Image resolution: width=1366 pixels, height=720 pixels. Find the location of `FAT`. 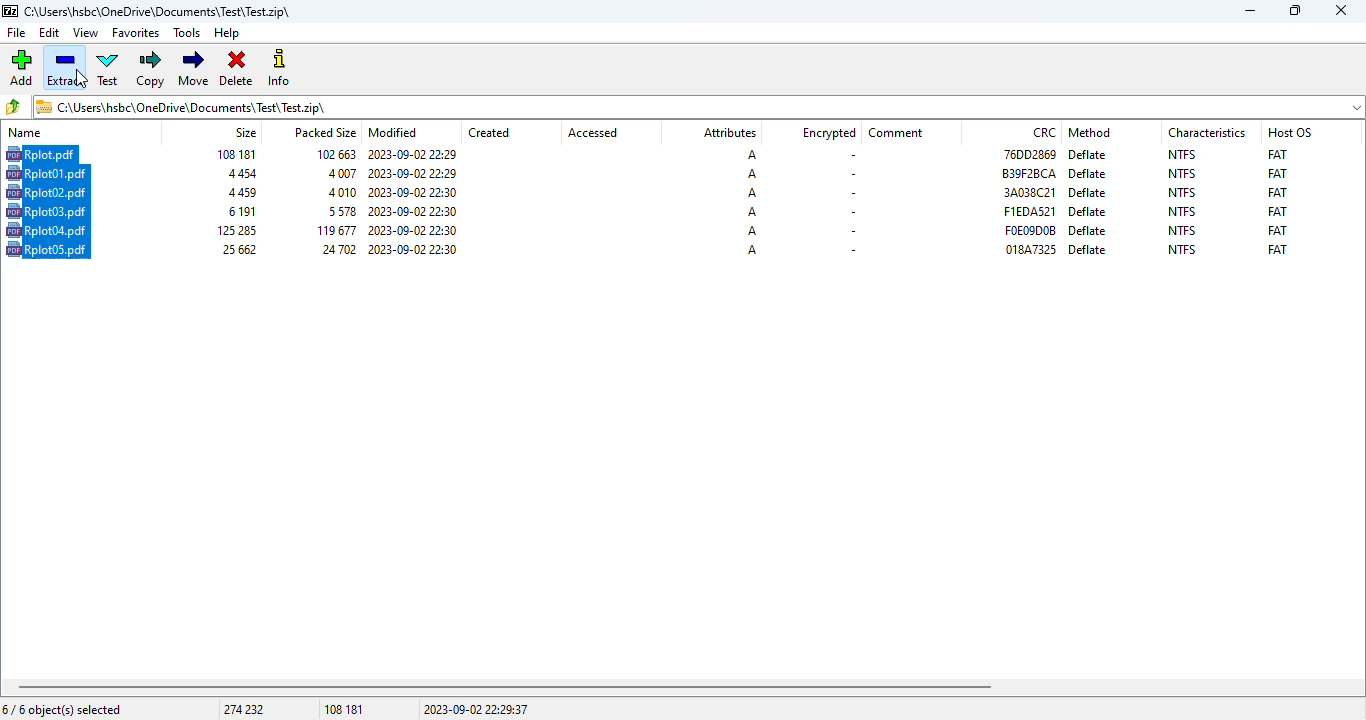

FAT is located at coordinates (1278, 211).